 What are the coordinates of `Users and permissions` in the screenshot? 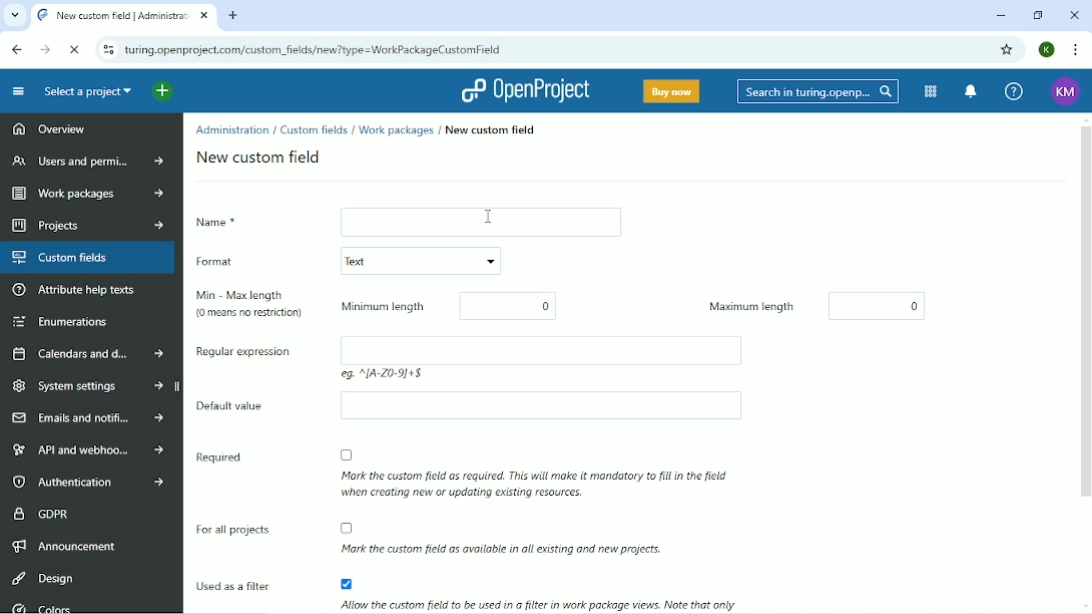 It's located at (88, 161).